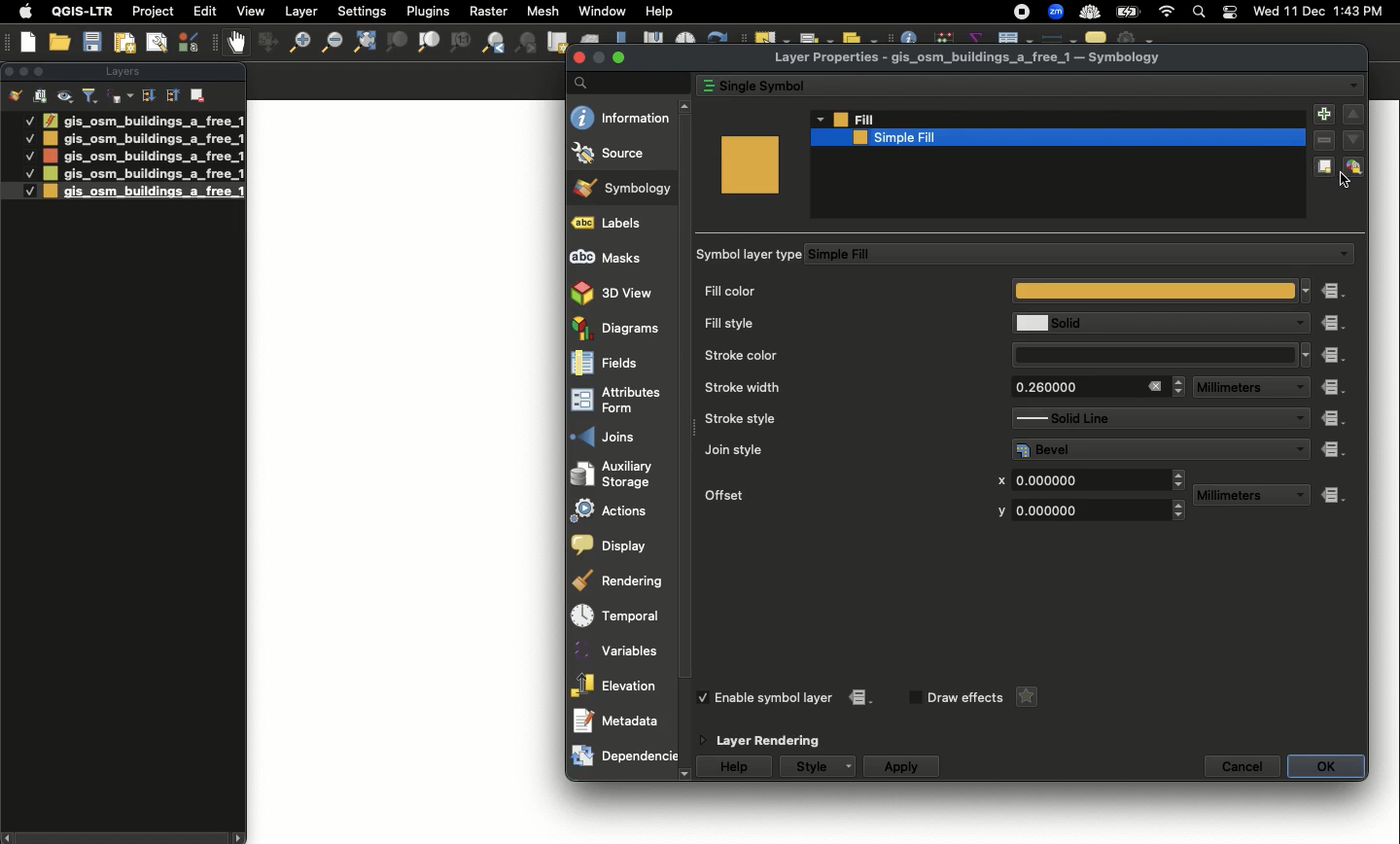  Describe the element at coordinates (9, 43) in the screenshot. I see `` at that location.